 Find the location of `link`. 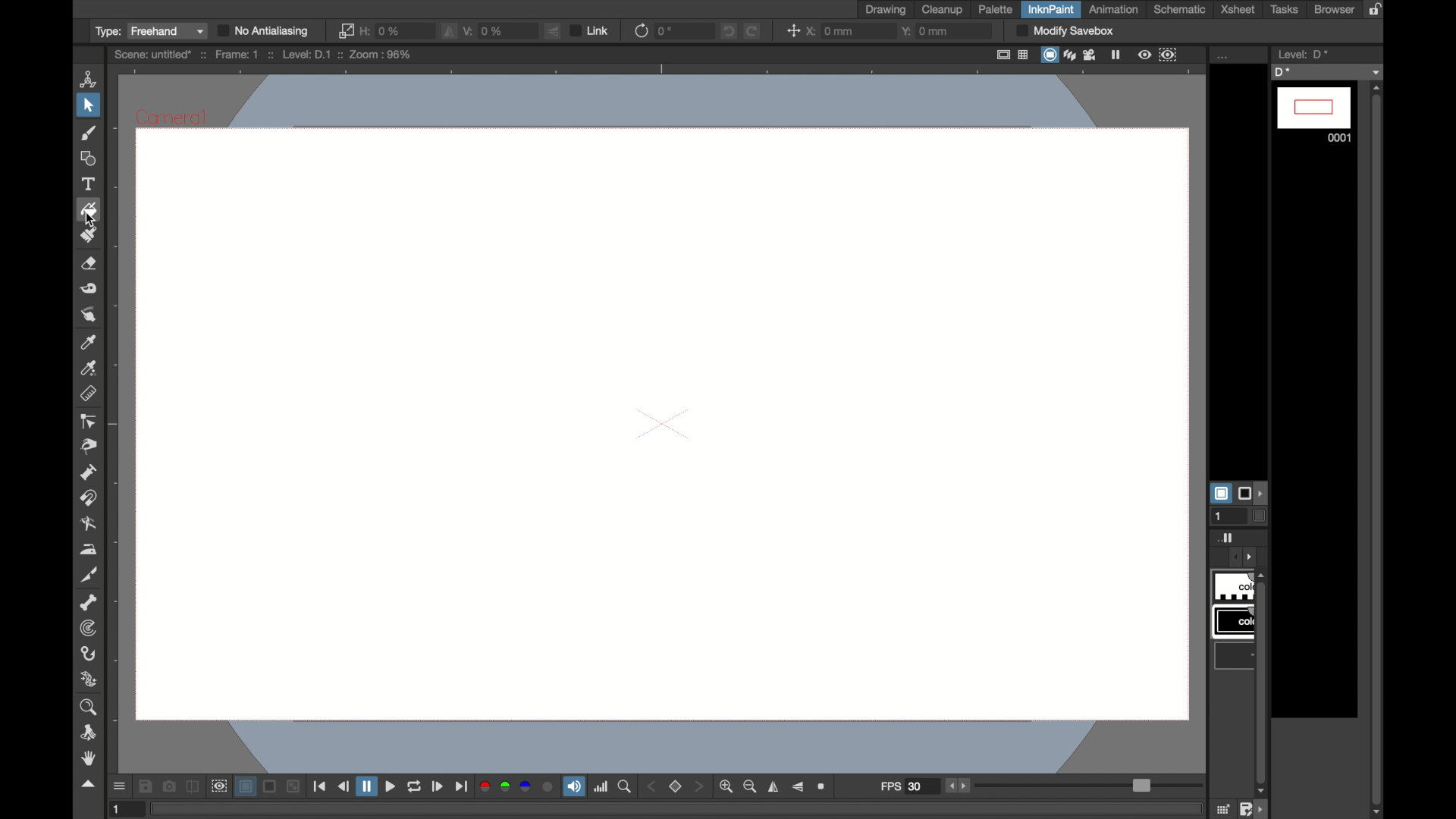

link is located at coordinates (347, 30).